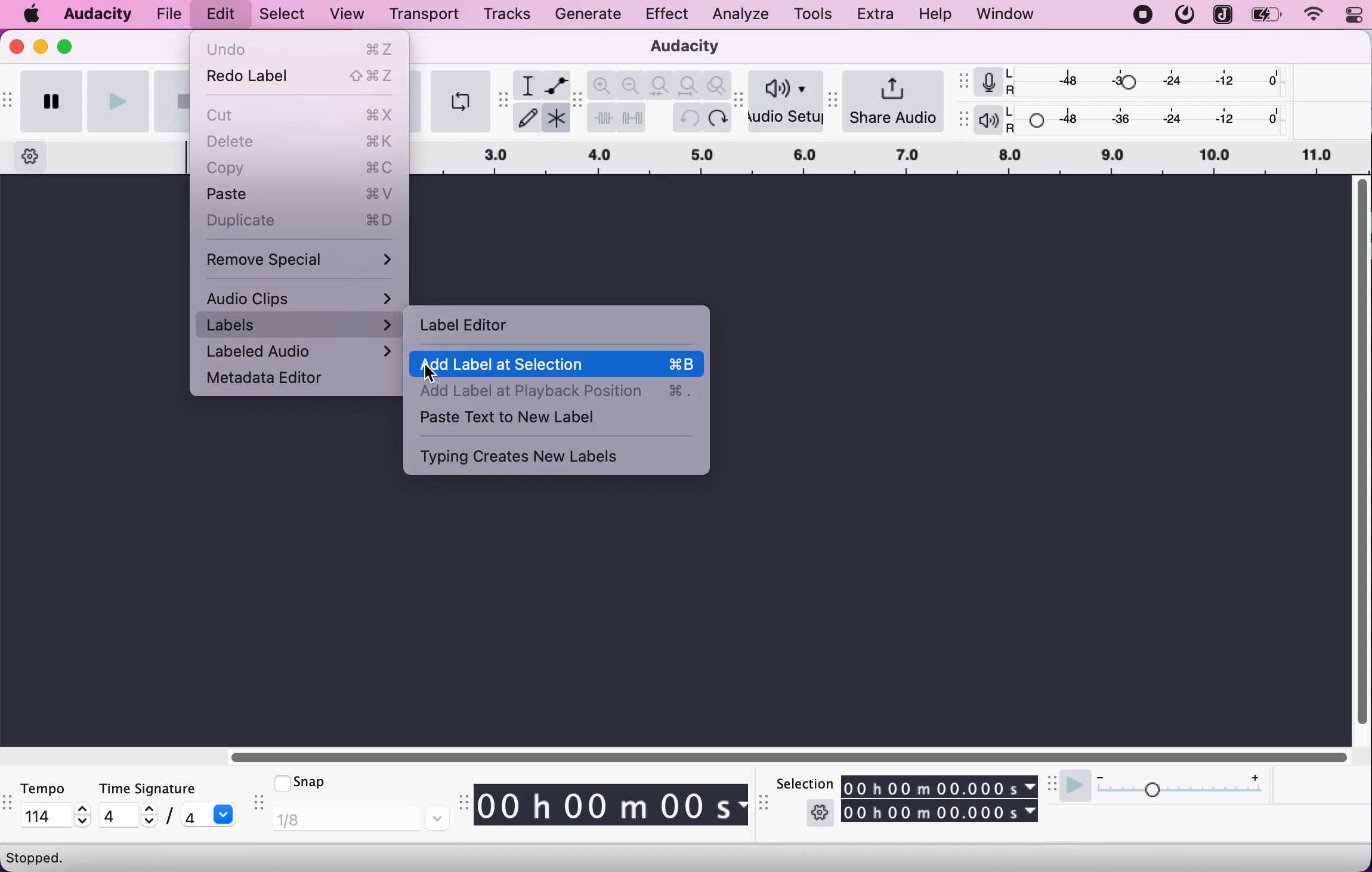 This screenshot has width=1372, height=872. I want to click on zoom out, so click(632, 84).